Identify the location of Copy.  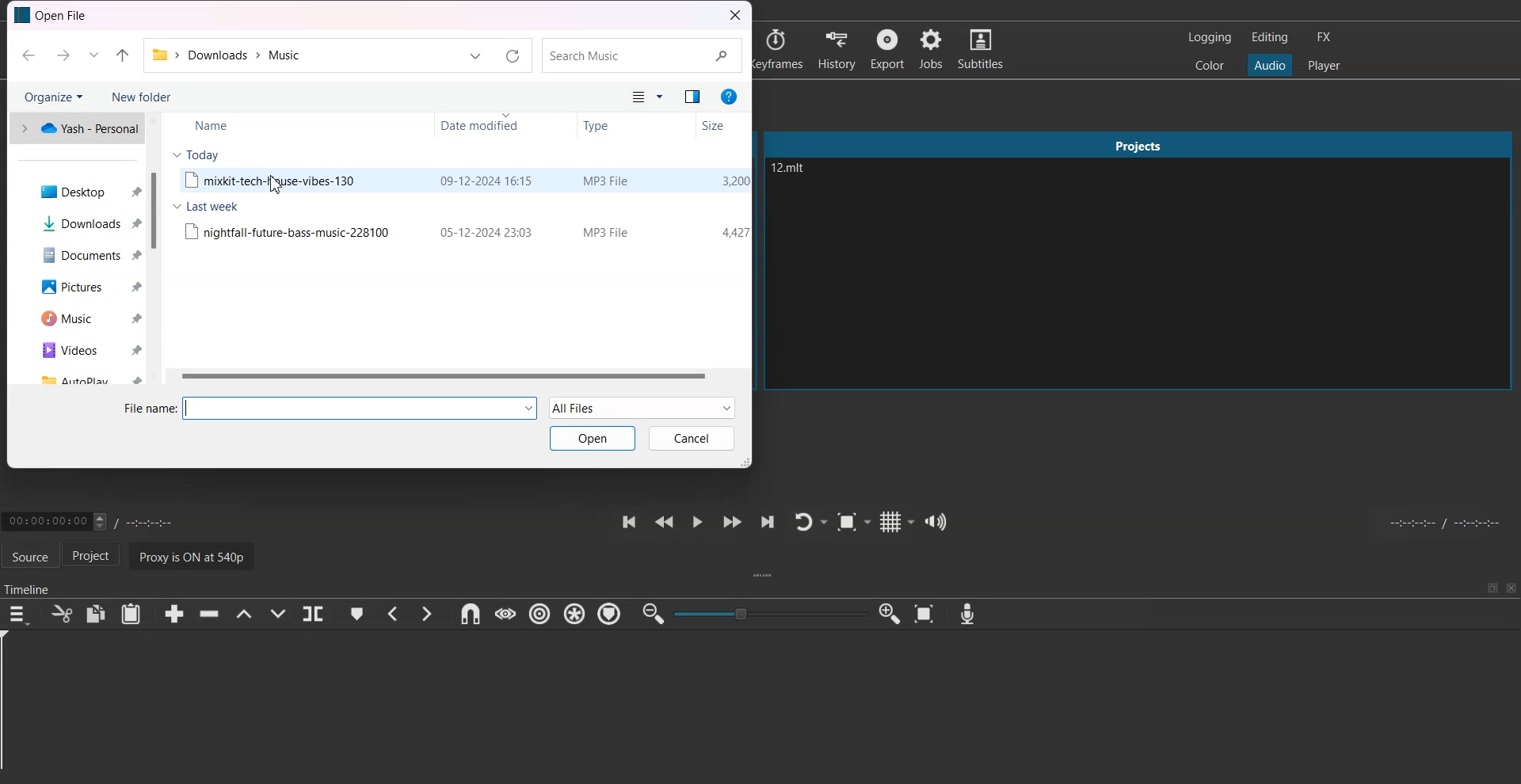
(97, 613).